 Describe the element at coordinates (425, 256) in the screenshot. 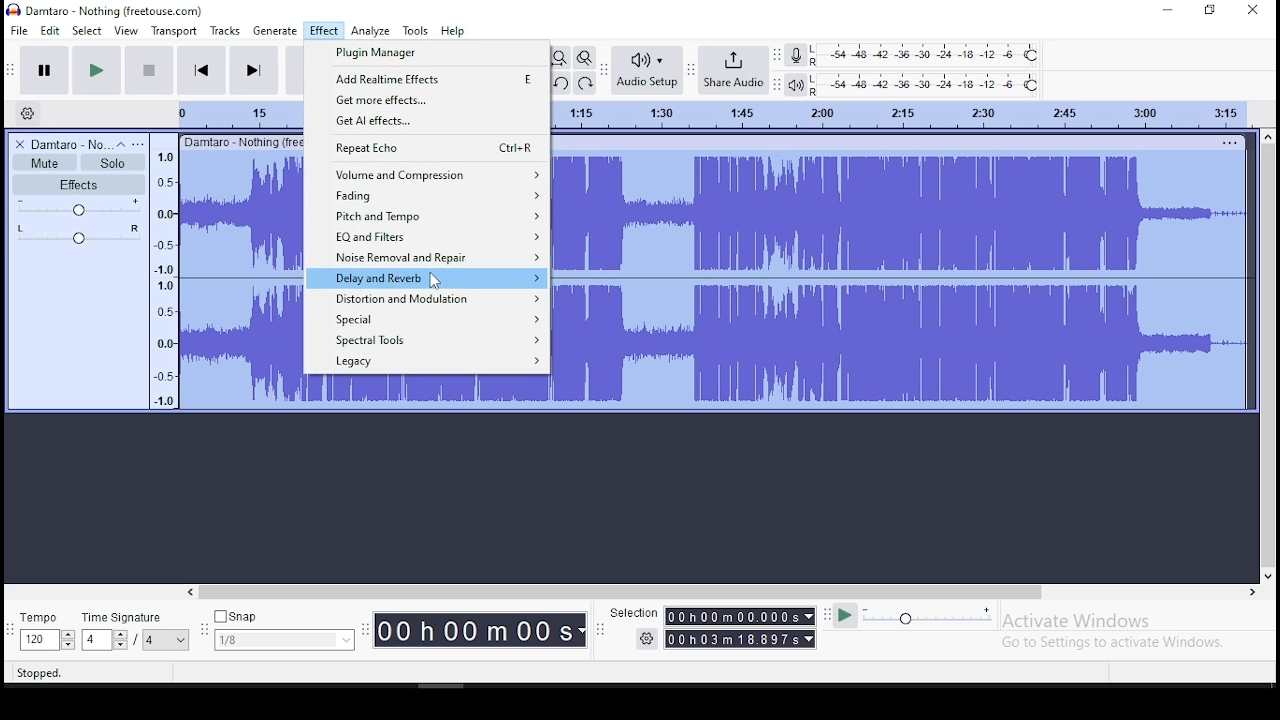

I see `noise removal and repair` at that location.